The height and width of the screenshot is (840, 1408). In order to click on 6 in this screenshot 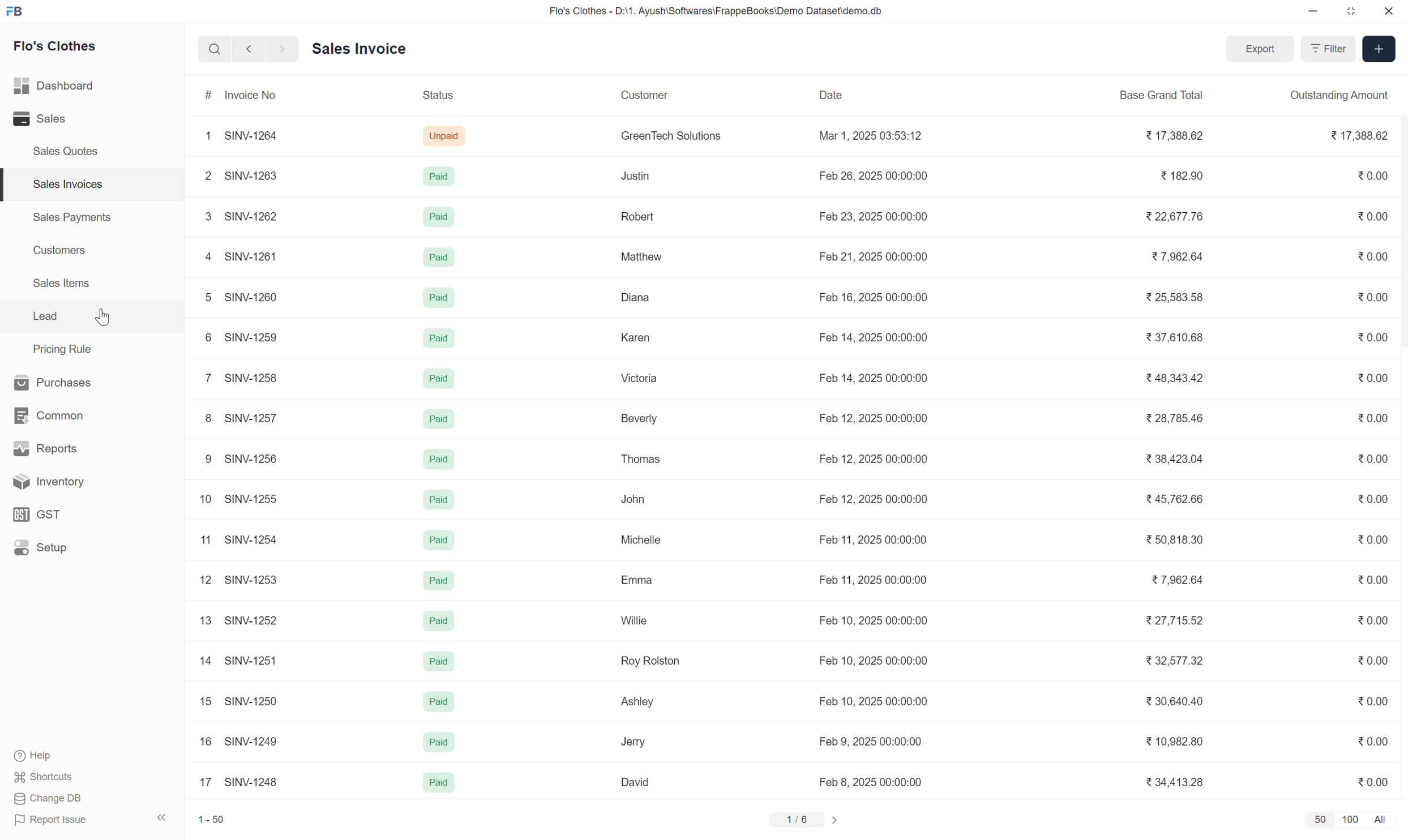, I will do `click(204, 336)`.